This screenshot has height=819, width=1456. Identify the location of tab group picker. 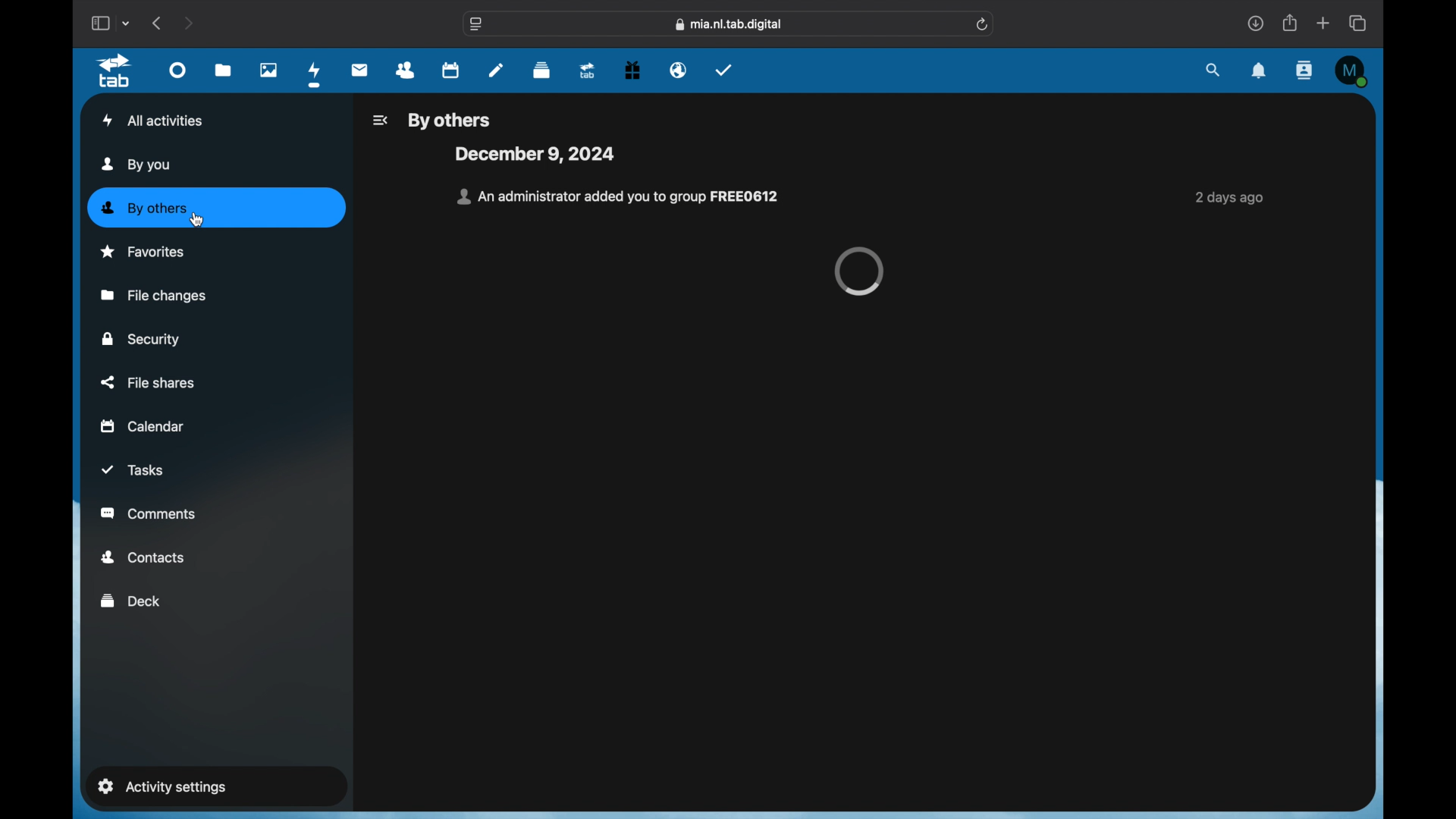
(127, 23).